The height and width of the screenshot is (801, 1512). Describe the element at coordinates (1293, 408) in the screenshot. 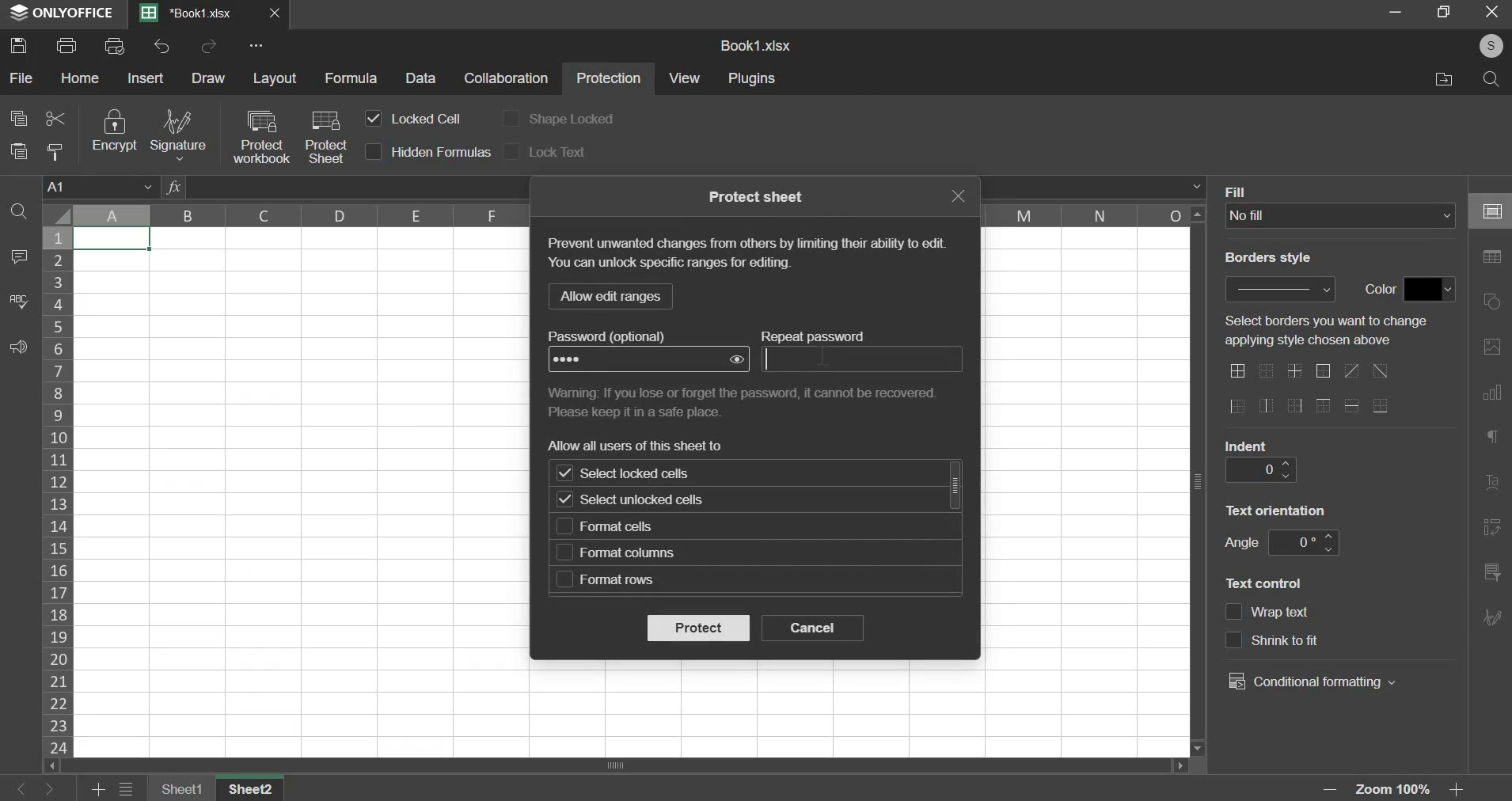

I see `border options` at that location.